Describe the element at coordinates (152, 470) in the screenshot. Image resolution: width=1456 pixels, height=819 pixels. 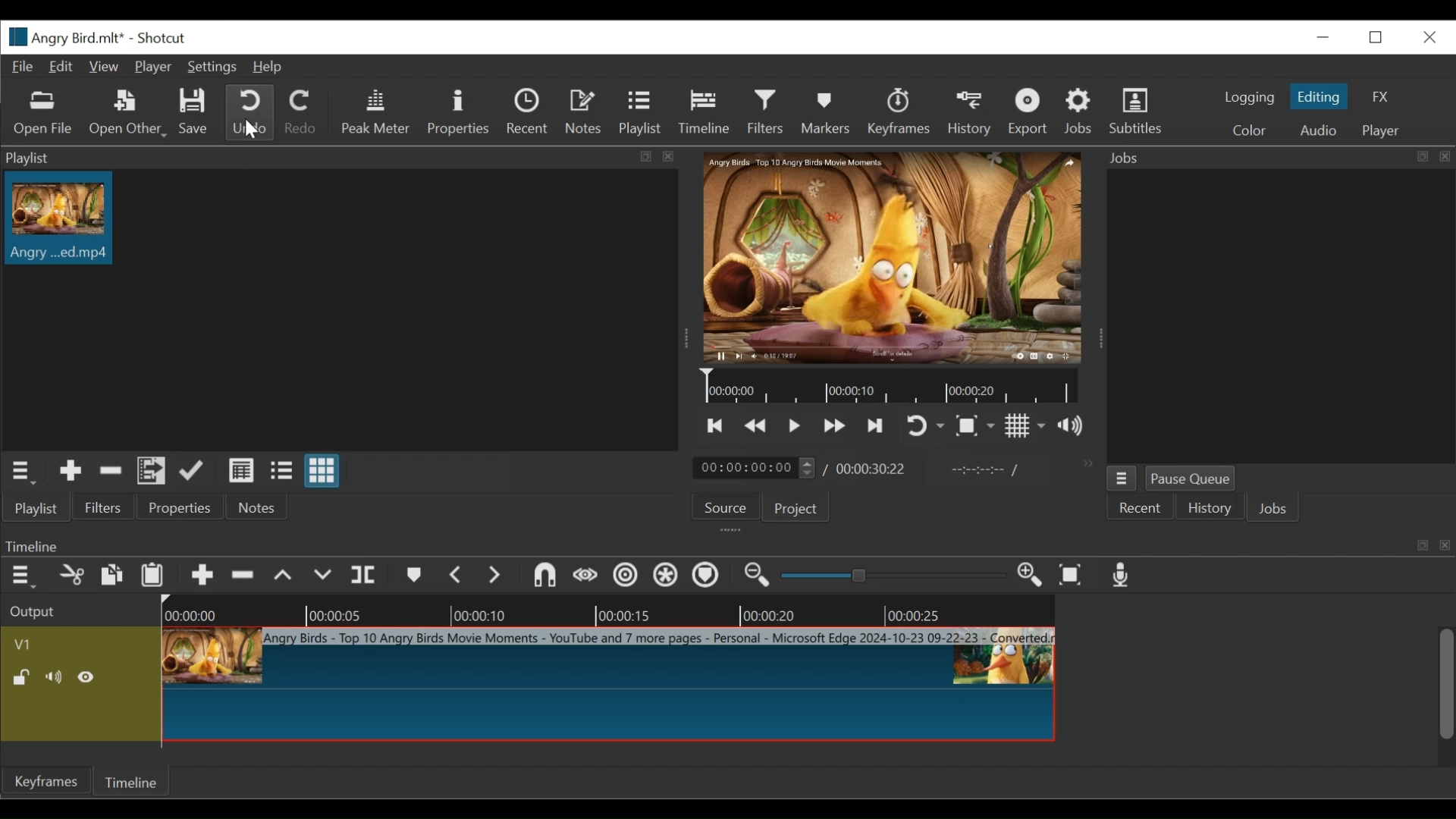
I see `Add filesto the playlist` at that location.